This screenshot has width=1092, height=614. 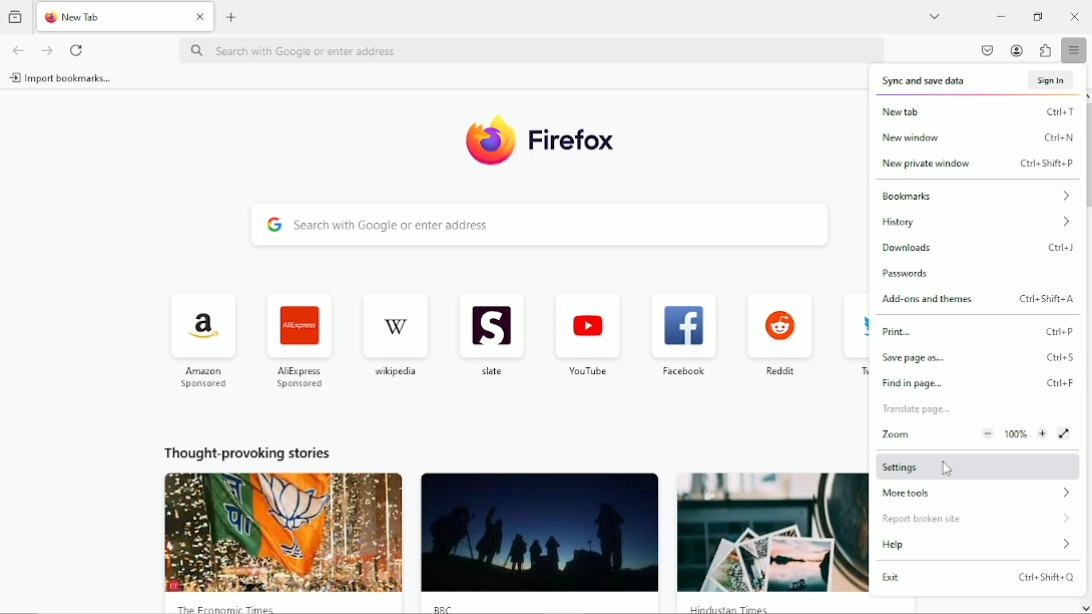 I want to click on translate page, so click(x=917, y=409).